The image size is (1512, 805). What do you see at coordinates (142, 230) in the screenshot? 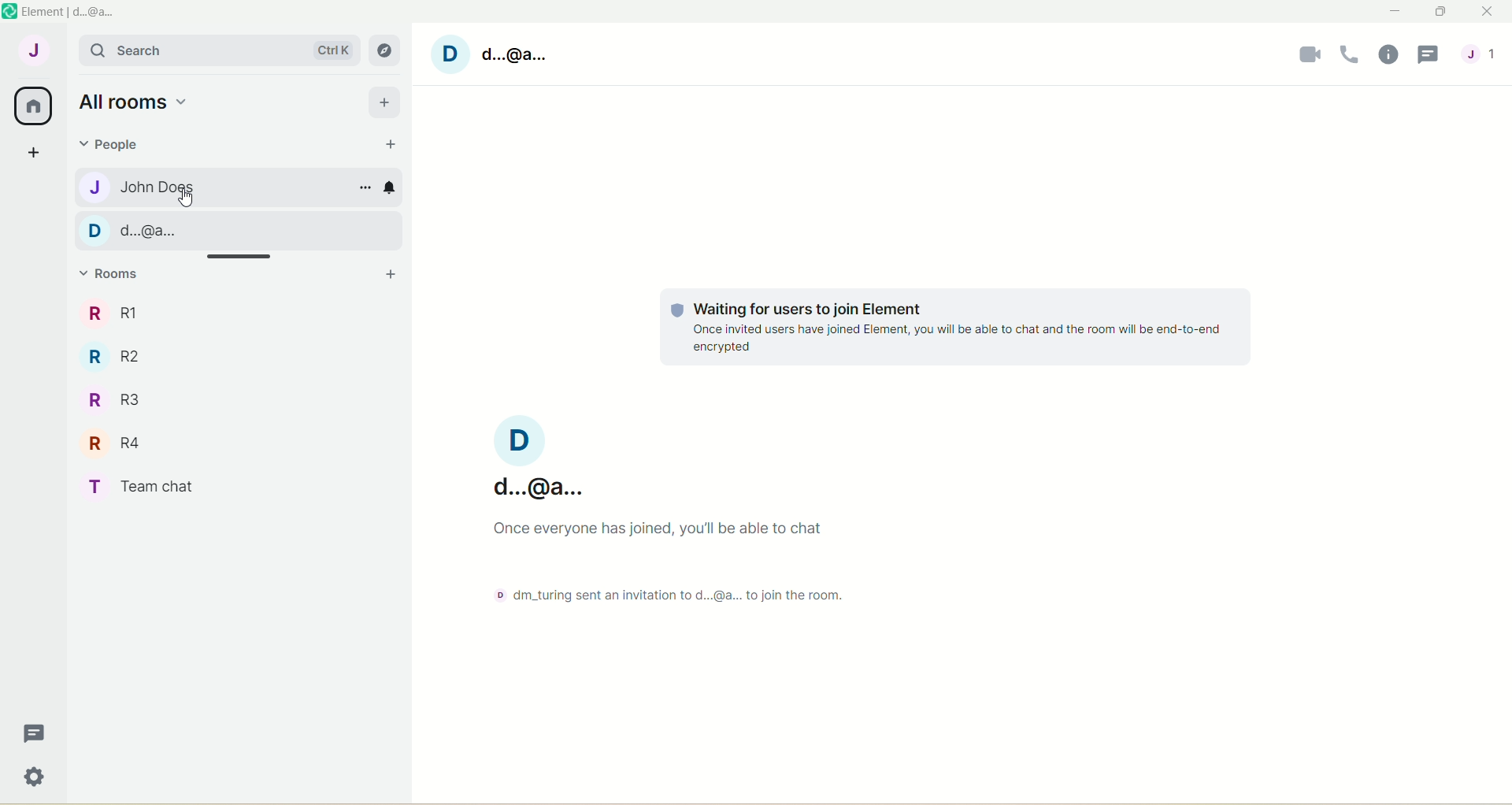
I see `D d.@a..` at bounding box center [142, 230].